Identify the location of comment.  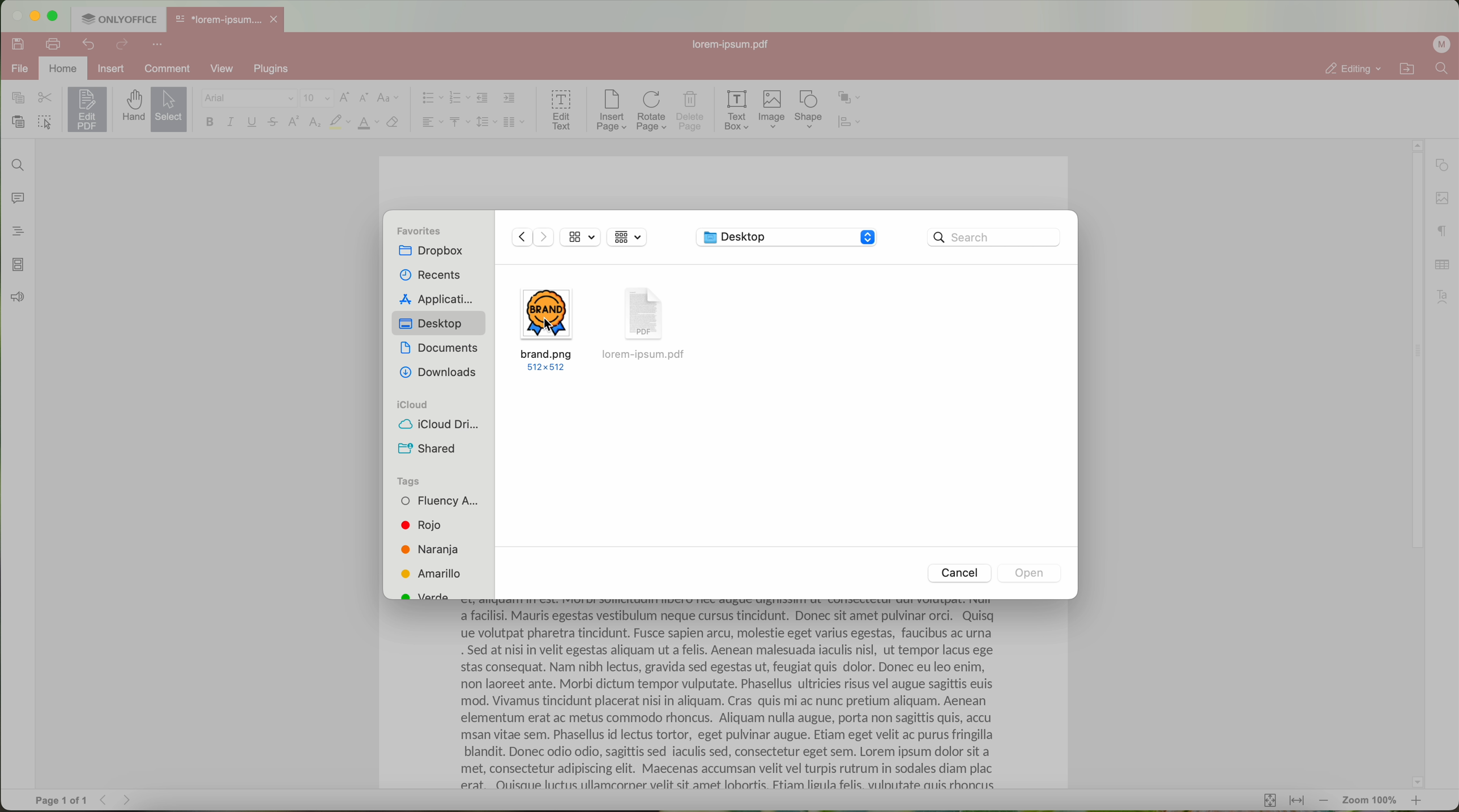
(169, 70).